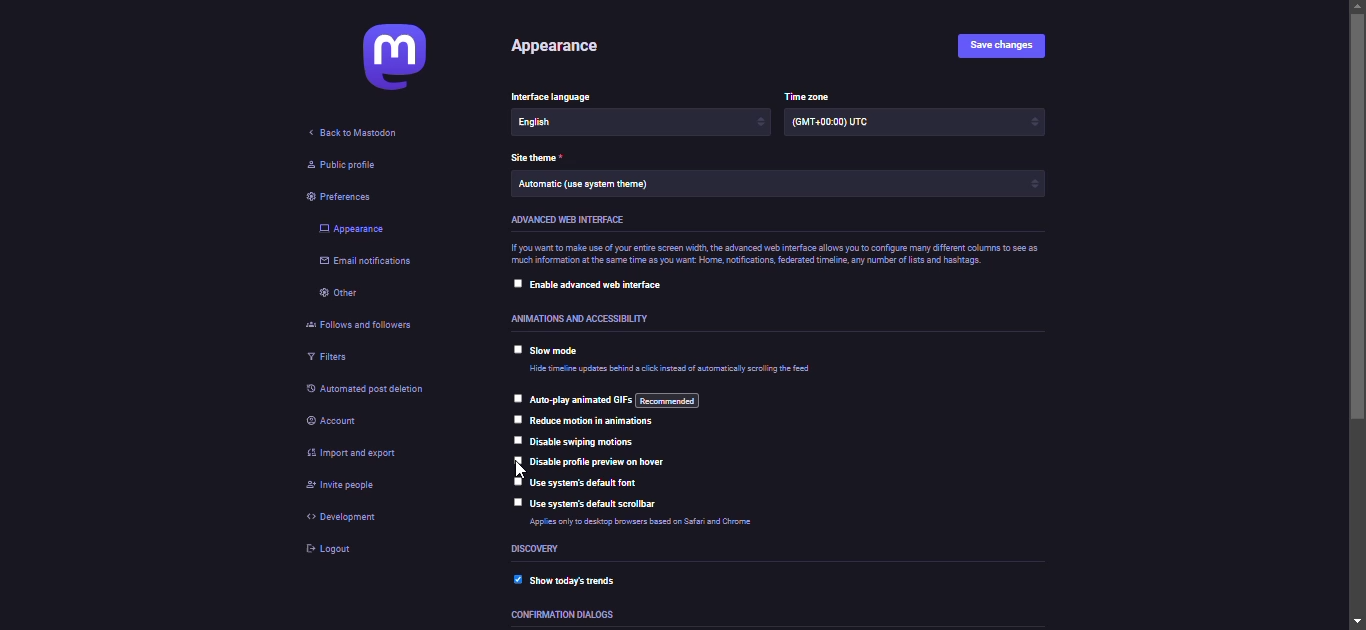 Image resolution: width=1366 pixels, height=630 pixels. I want to click on accessibility, so click(577, 317).